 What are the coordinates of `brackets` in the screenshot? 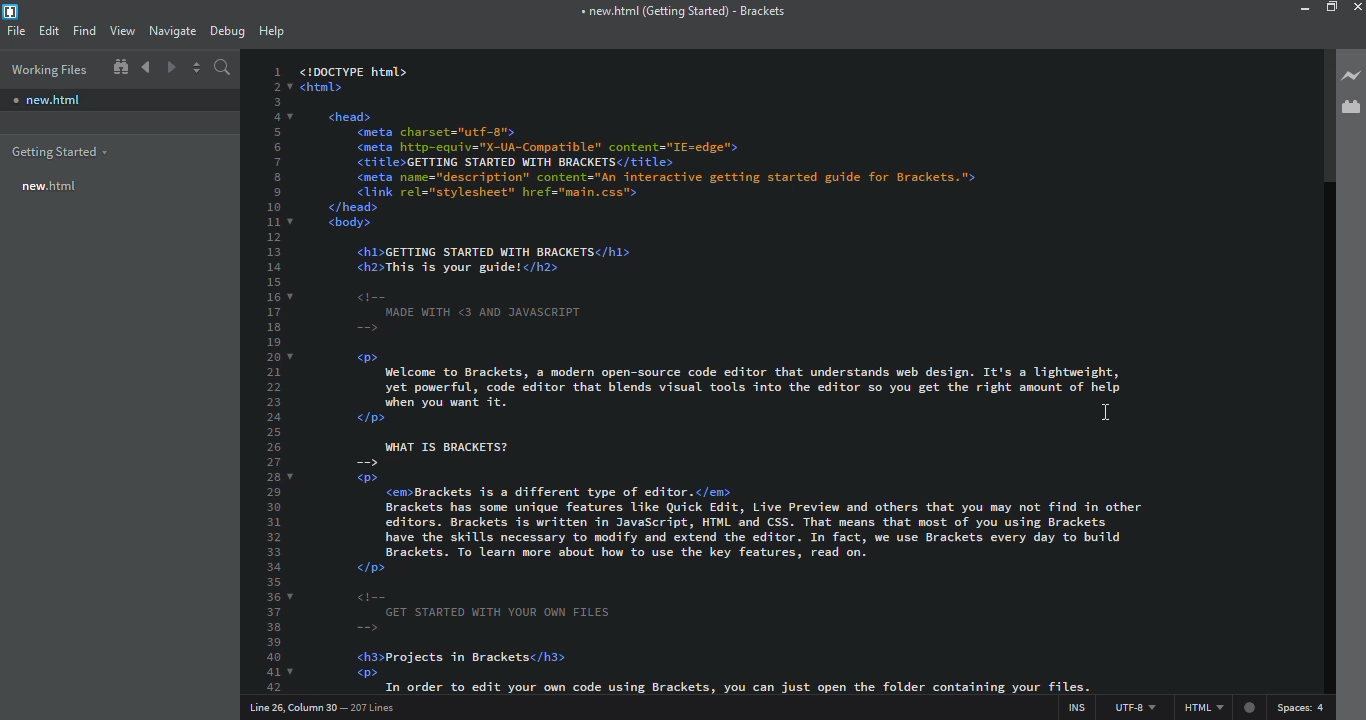 It's located at (682, 11).